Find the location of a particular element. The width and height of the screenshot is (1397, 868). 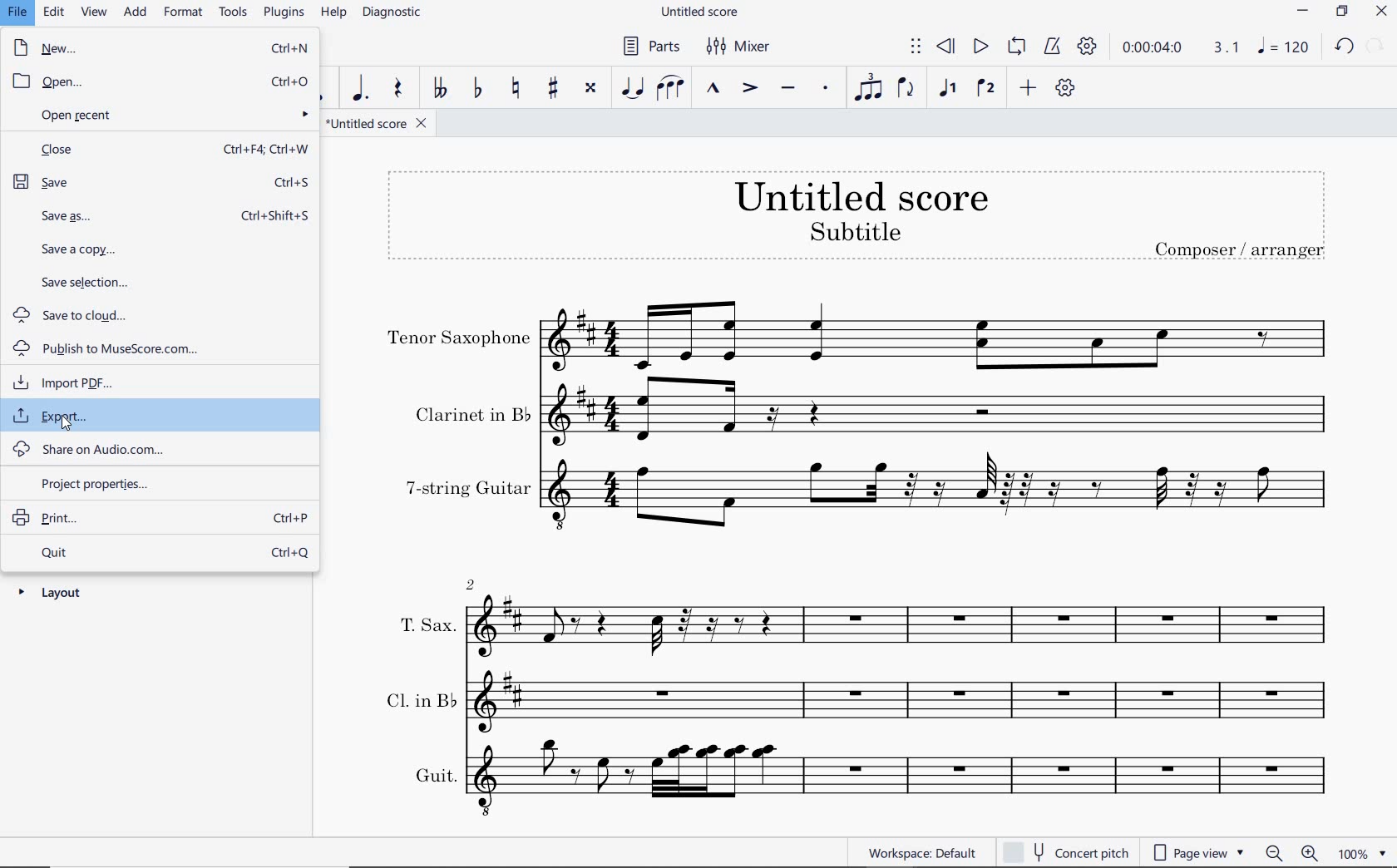

PLAY TIME is located at coordinates (1181, 48).